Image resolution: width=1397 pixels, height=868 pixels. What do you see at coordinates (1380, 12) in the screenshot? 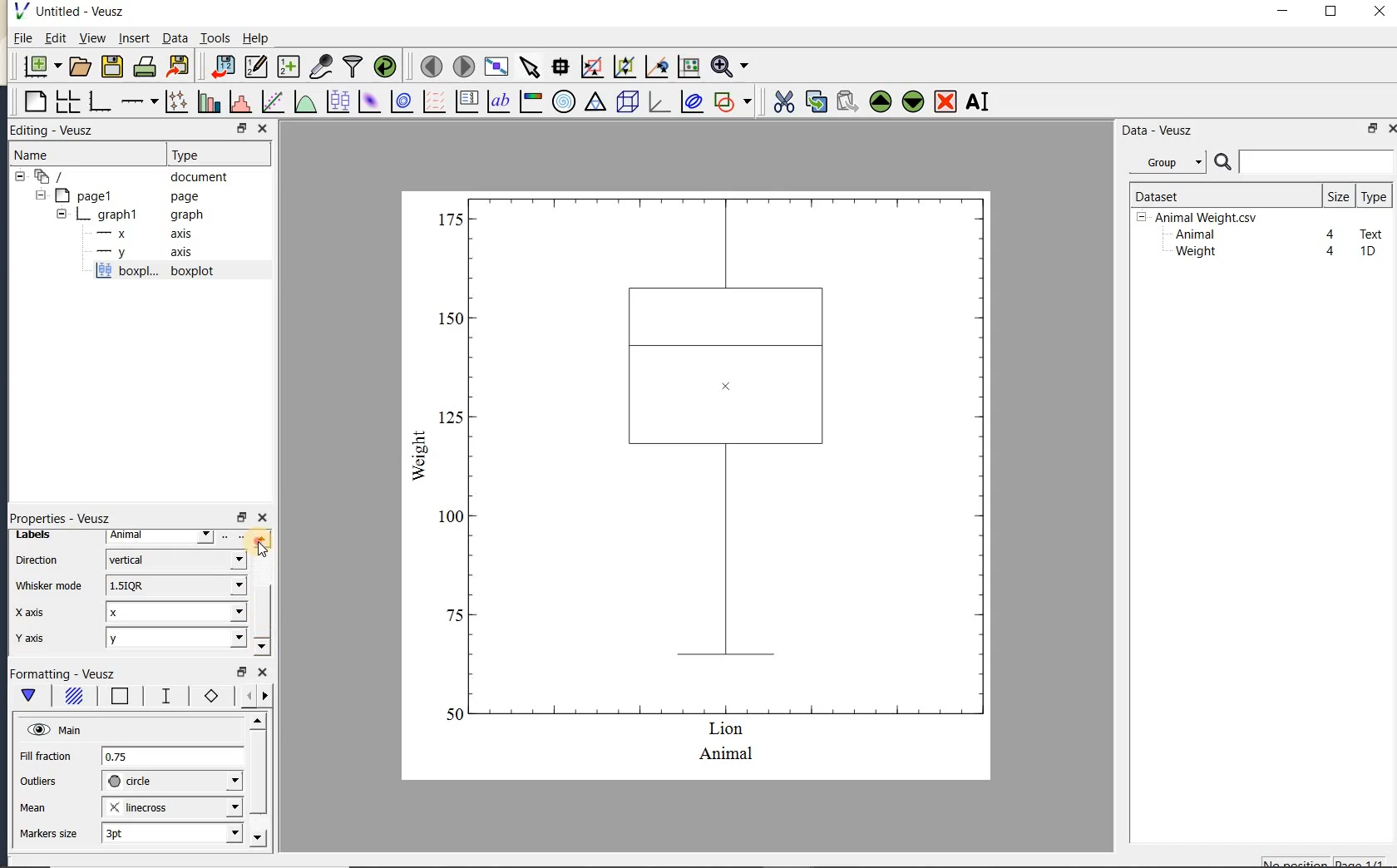
I see `close` at bounding box center [1380, 12].